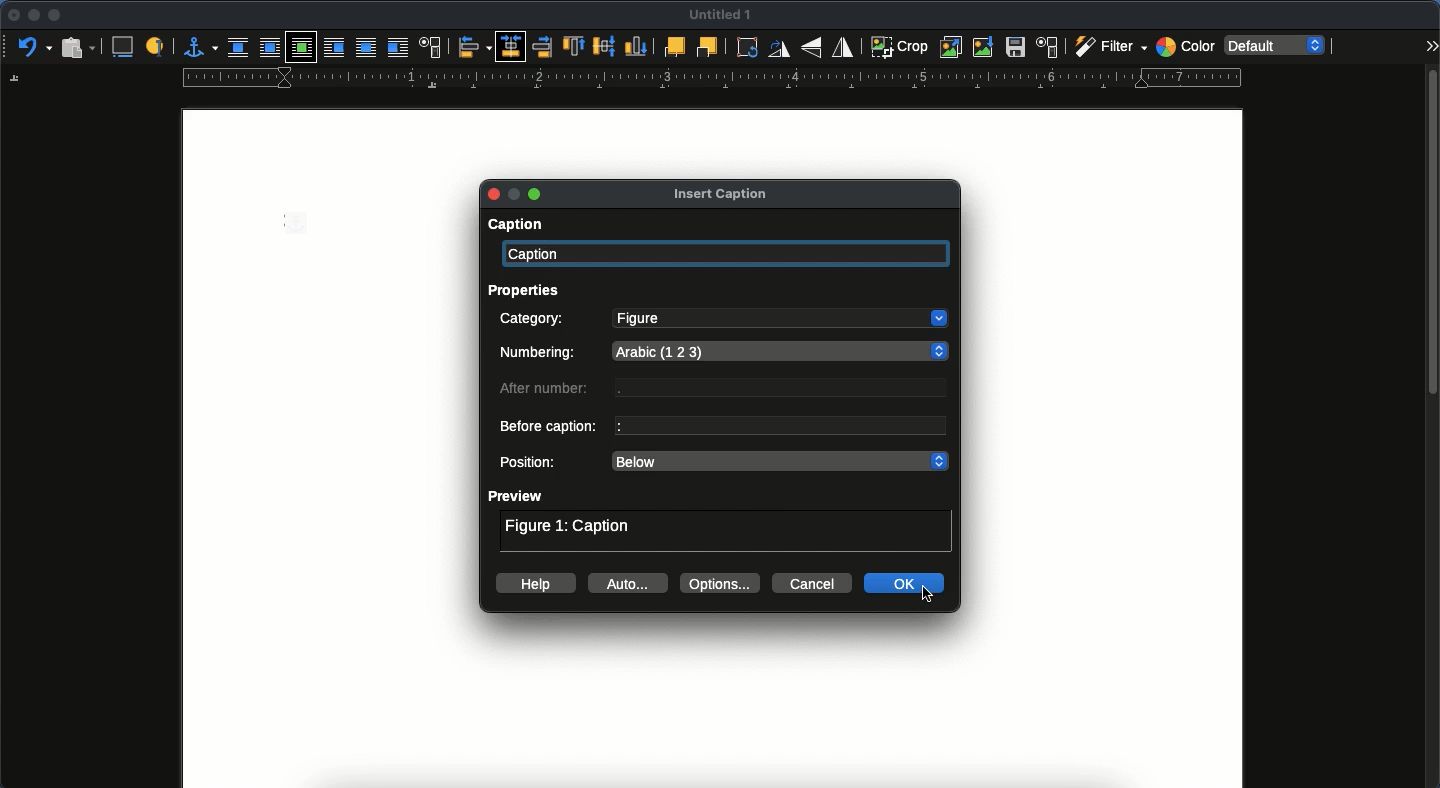  Describe the element at coordinates (269, 47) in the screenshot. I see `parallel` at that location.